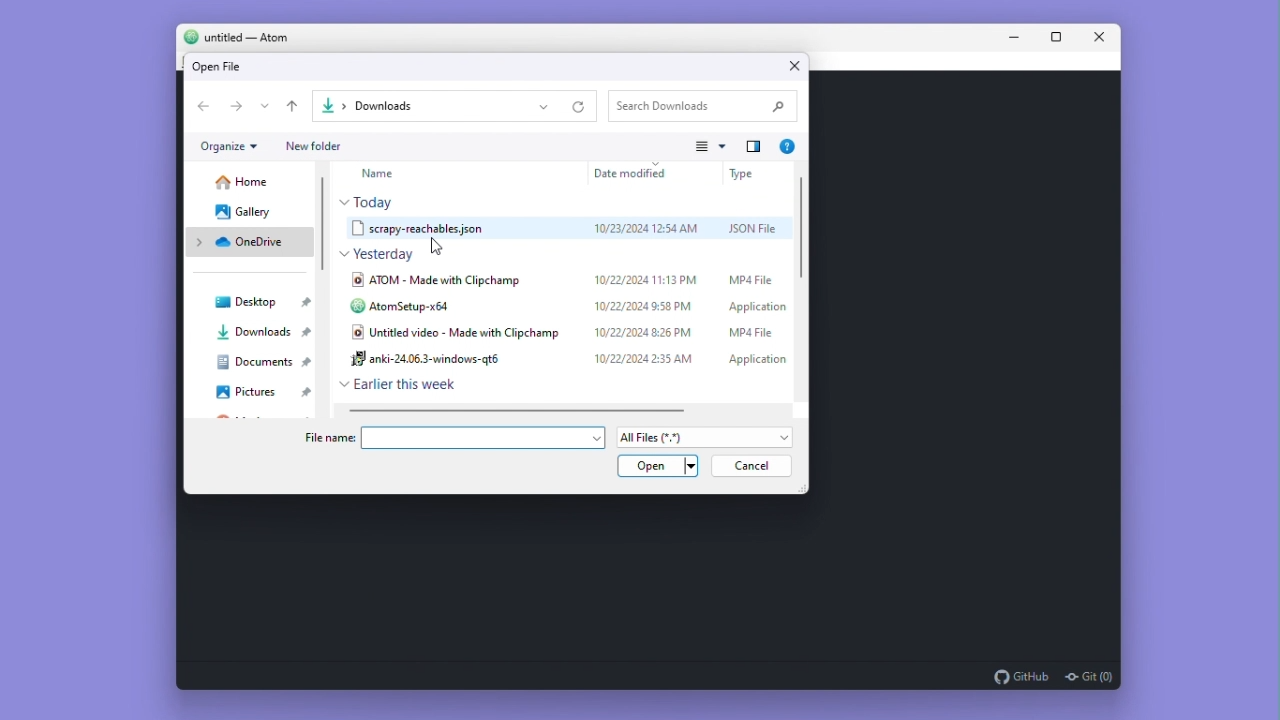 The width and height of the screenshot is (1280, 720). Describe the element at coordinates (705, 107) in the screenshot. I see `Search Downloads` at that location.